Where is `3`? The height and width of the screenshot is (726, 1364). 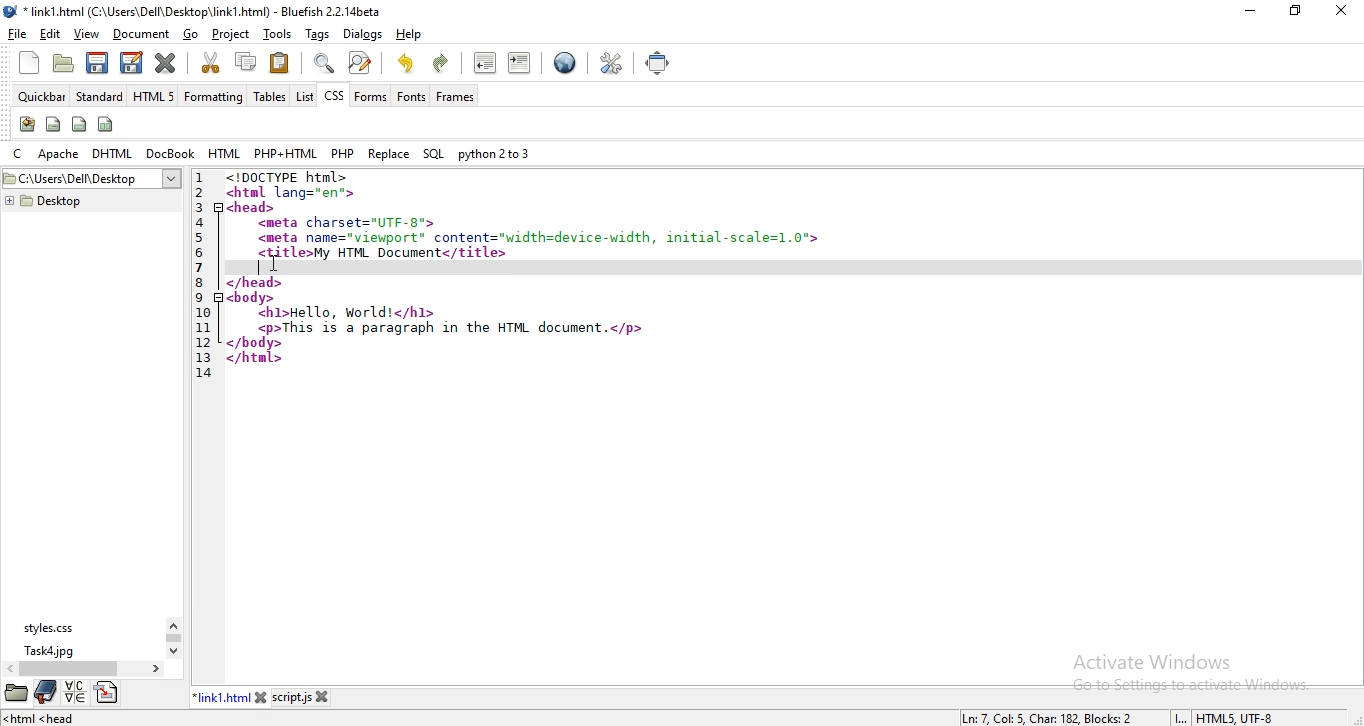 3 is located at coordinates (201, 208).